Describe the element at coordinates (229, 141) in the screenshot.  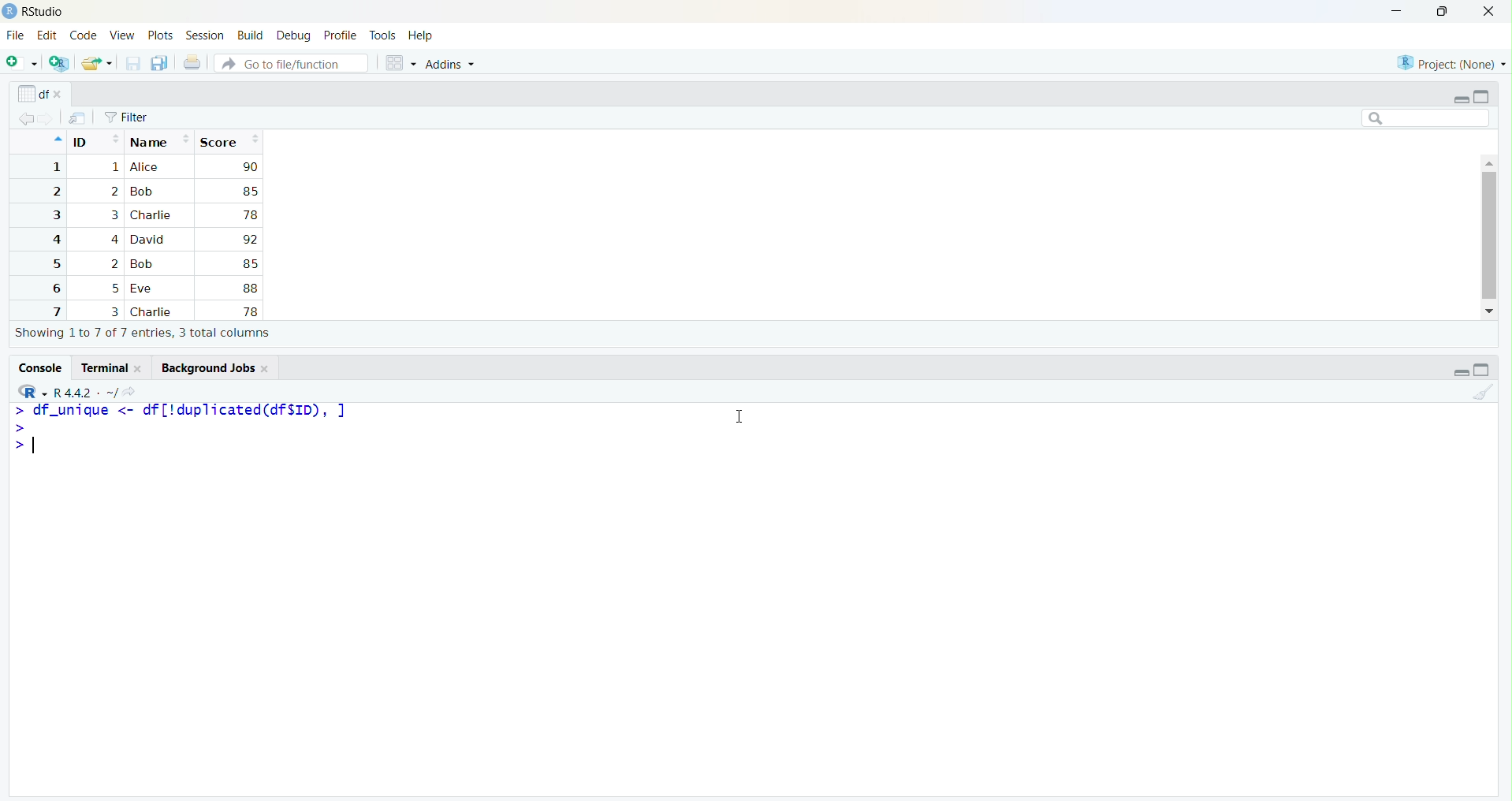
I see `score` at that location.